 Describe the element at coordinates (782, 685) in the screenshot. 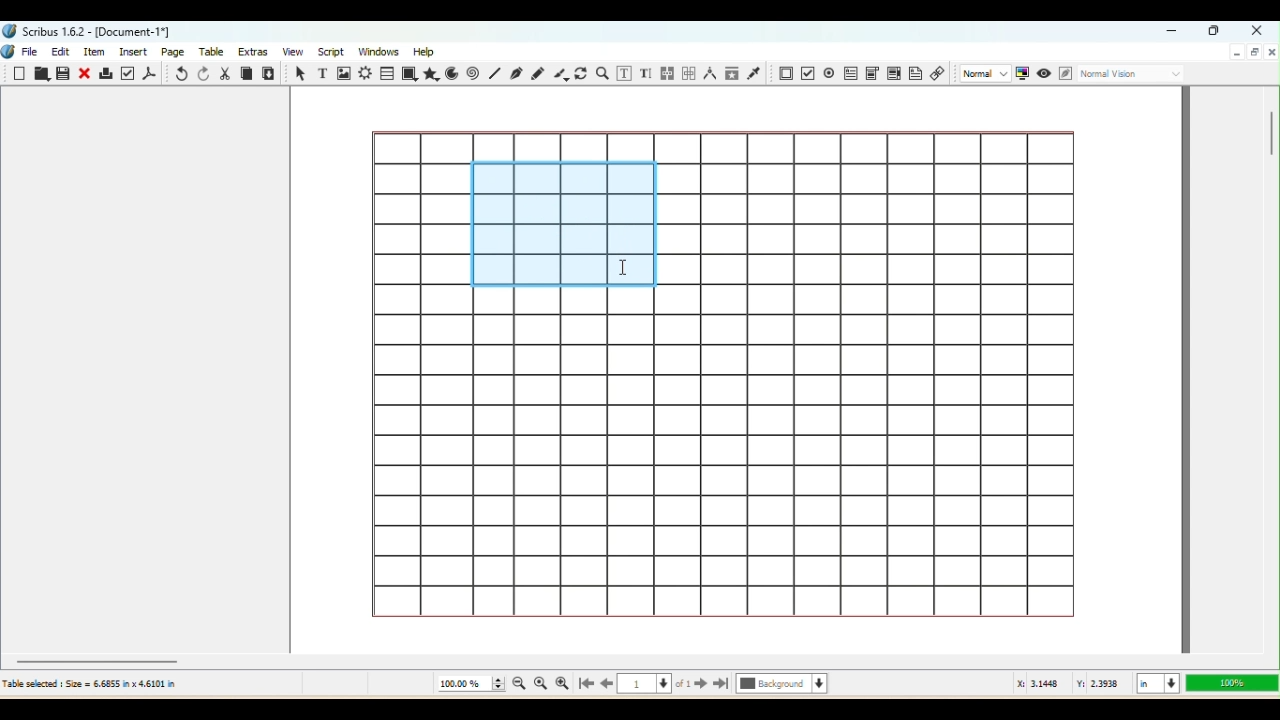

I see `Select the current layer` at that location.